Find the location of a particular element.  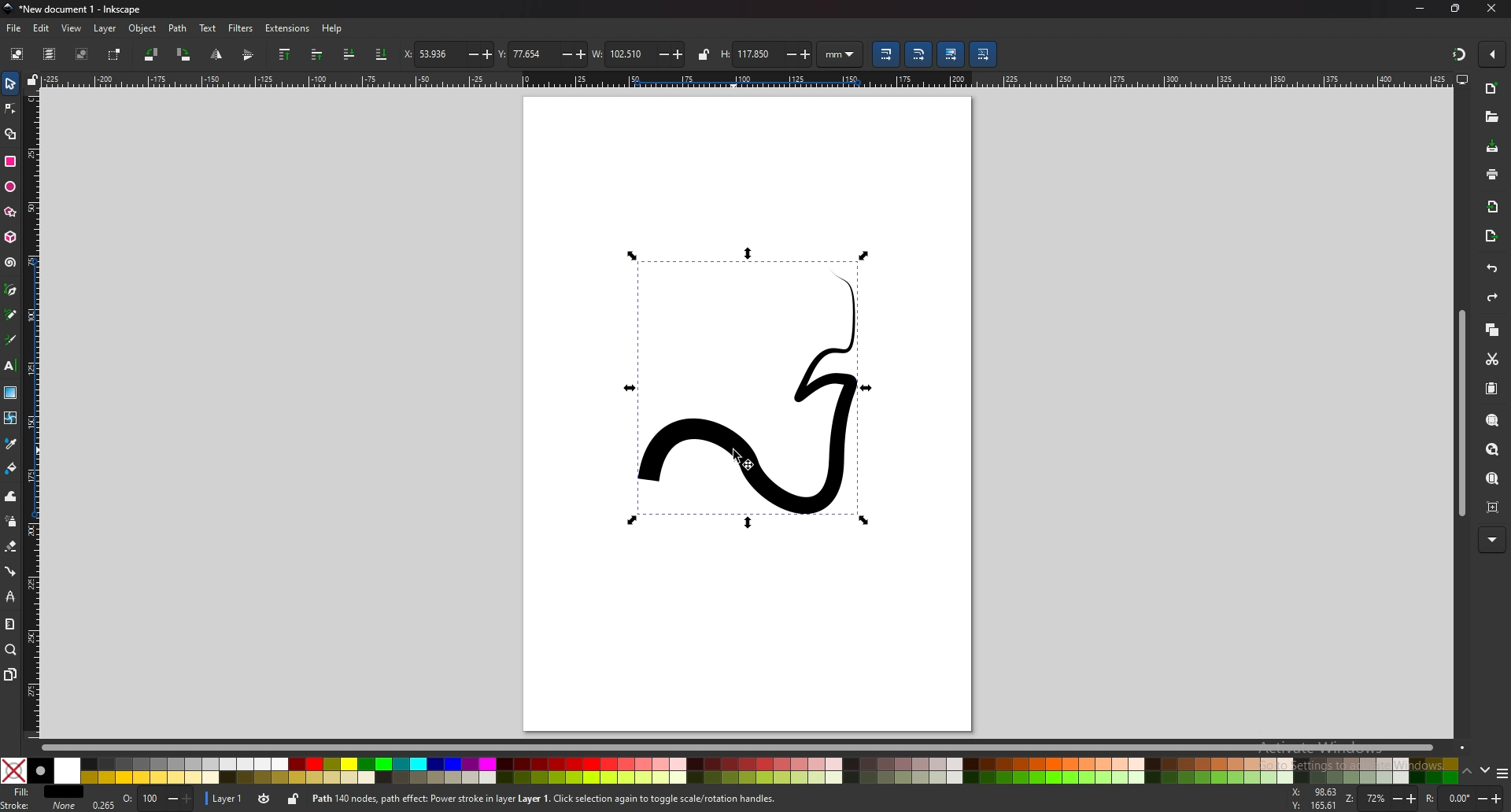

UNDO is located at coordinates (1491, 268).